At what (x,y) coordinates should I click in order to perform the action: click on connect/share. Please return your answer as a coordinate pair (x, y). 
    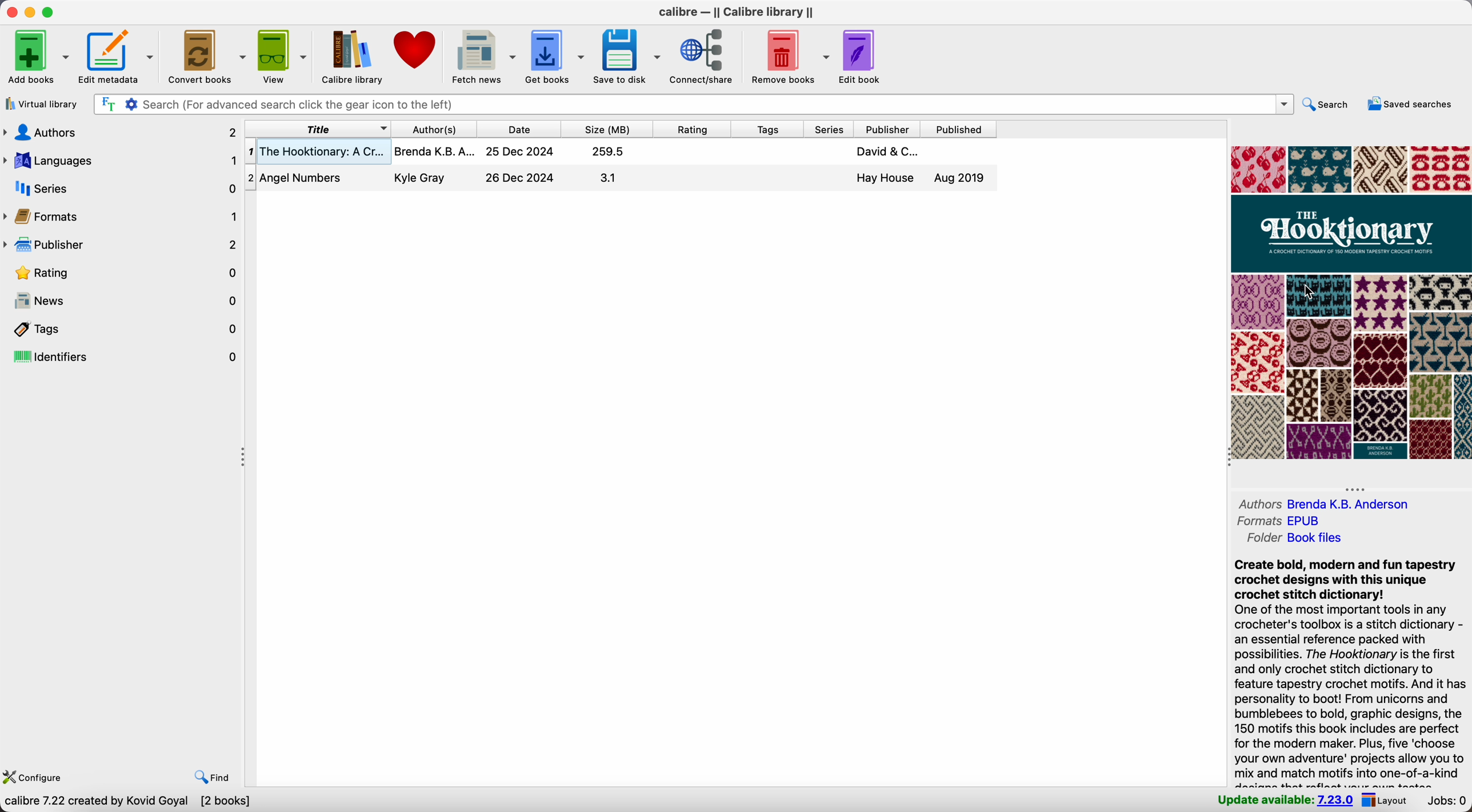
    Looking at the image, I should click on (702, 57).